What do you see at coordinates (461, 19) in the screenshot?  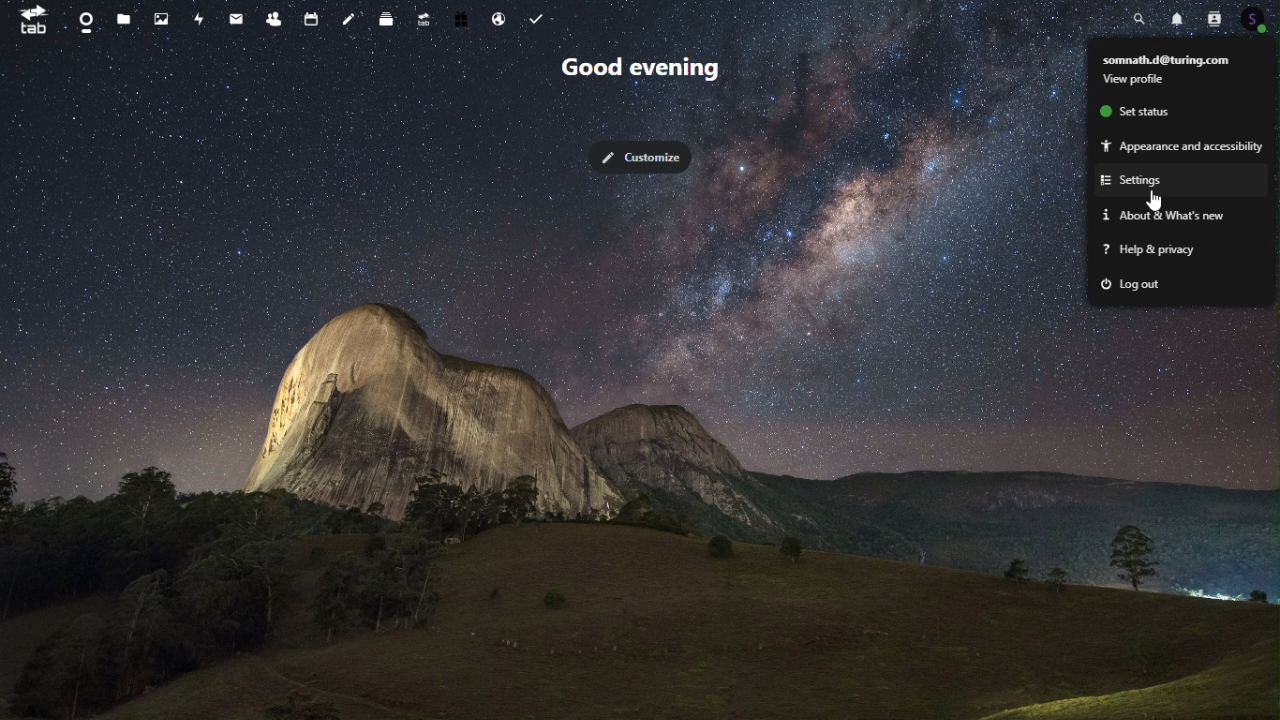 I see `free trial` at bounding box center [461, 19].